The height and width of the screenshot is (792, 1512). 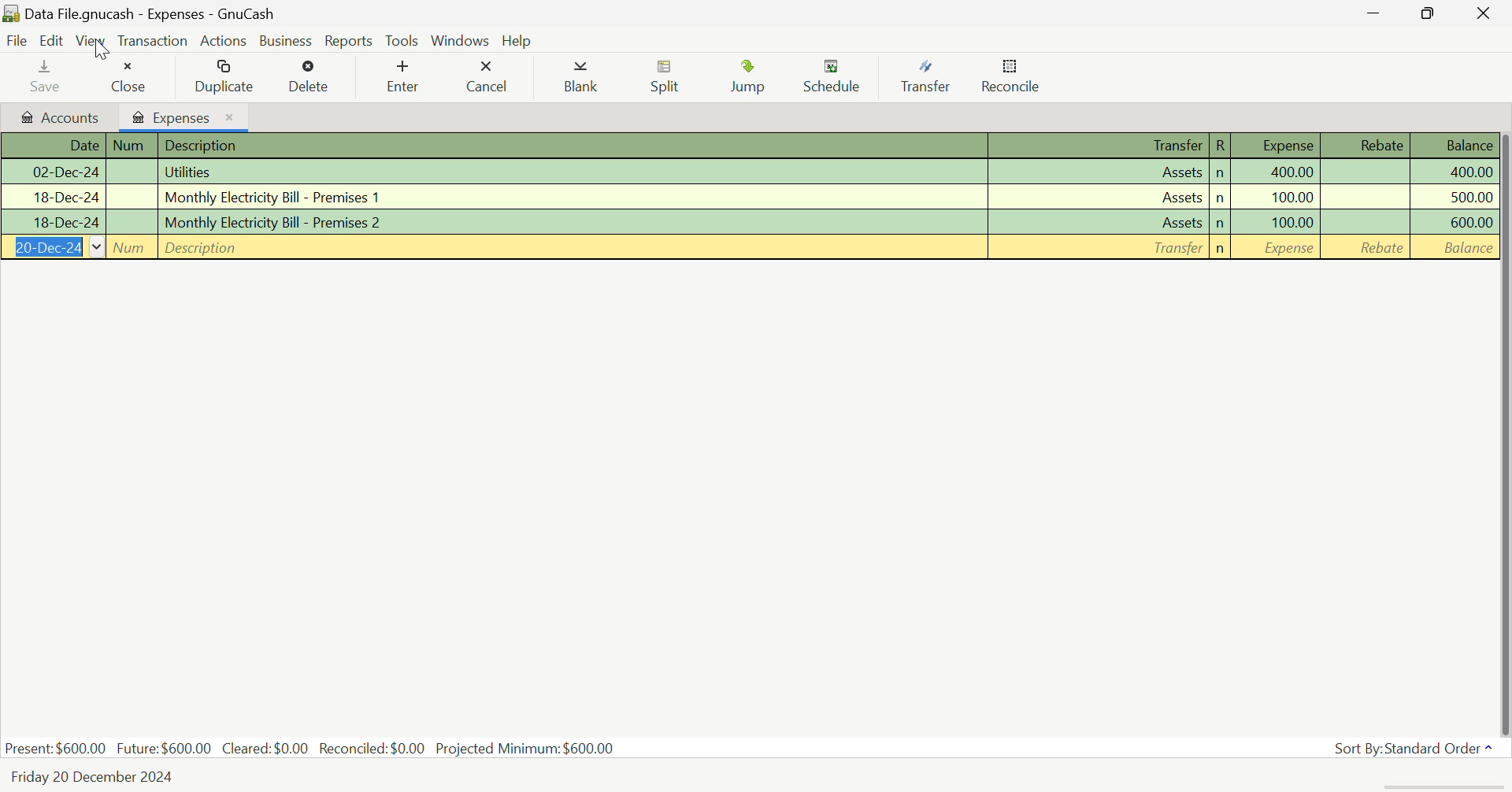 I want to click on Expense, so click(x=1277, y=146).